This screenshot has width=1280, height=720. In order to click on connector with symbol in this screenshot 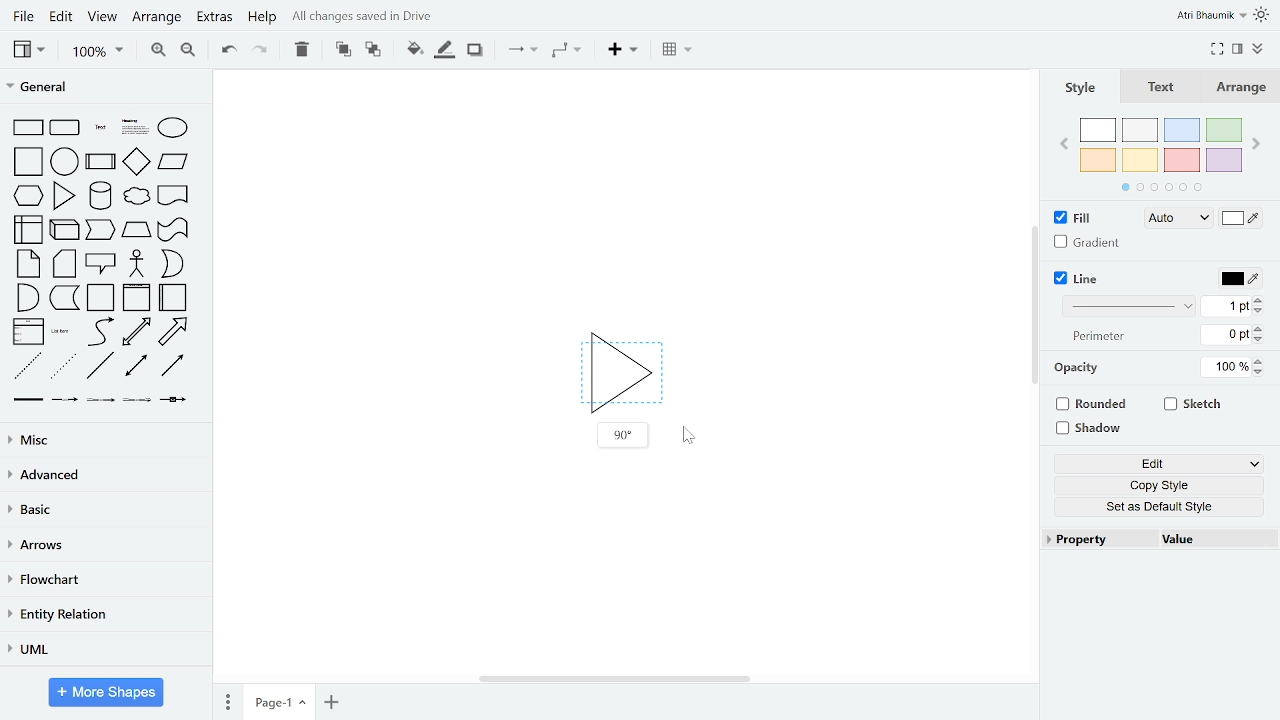, I will do `click(173, 401)`.